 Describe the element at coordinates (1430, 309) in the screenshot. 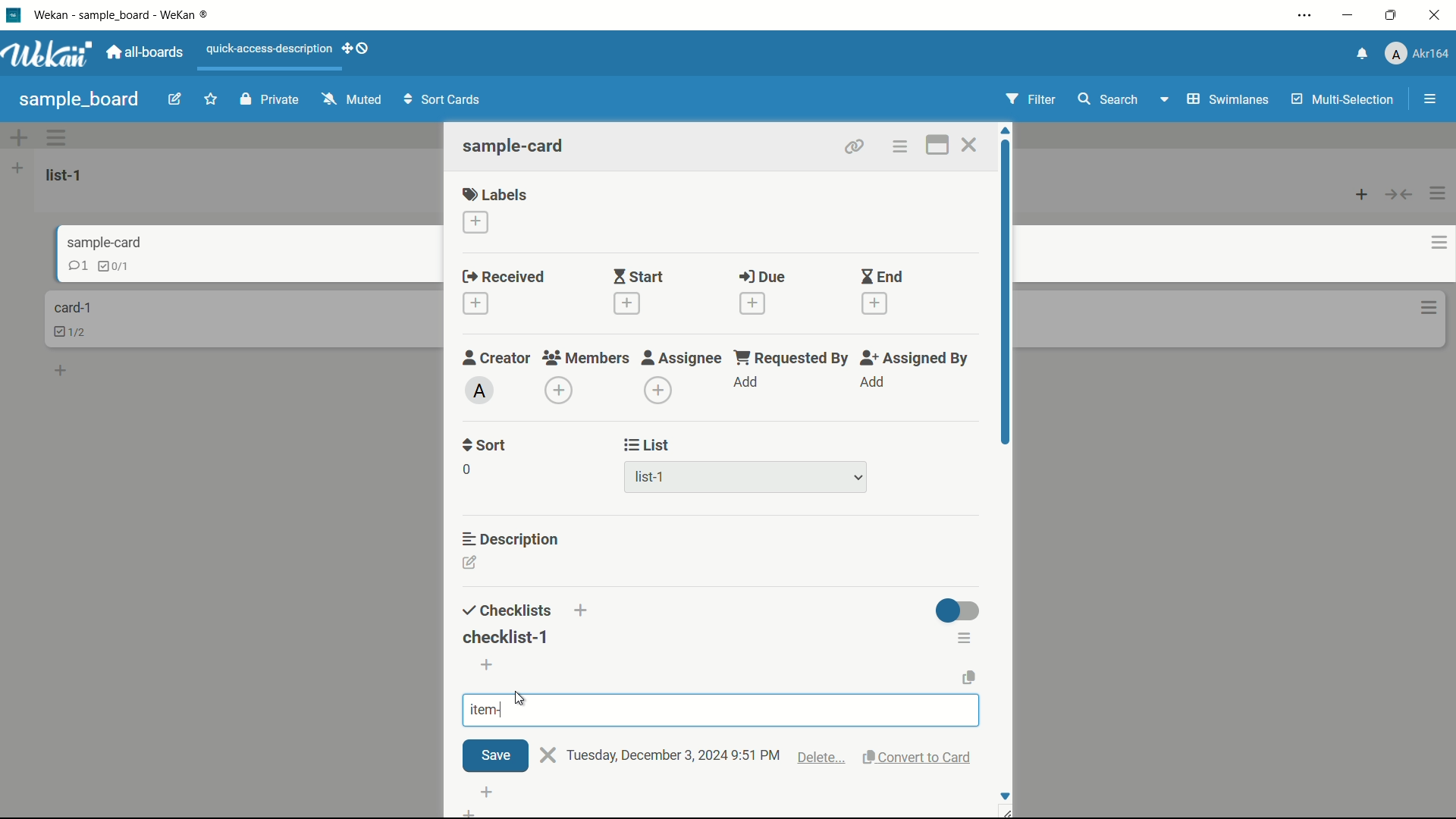

I see `card actions` at that location.